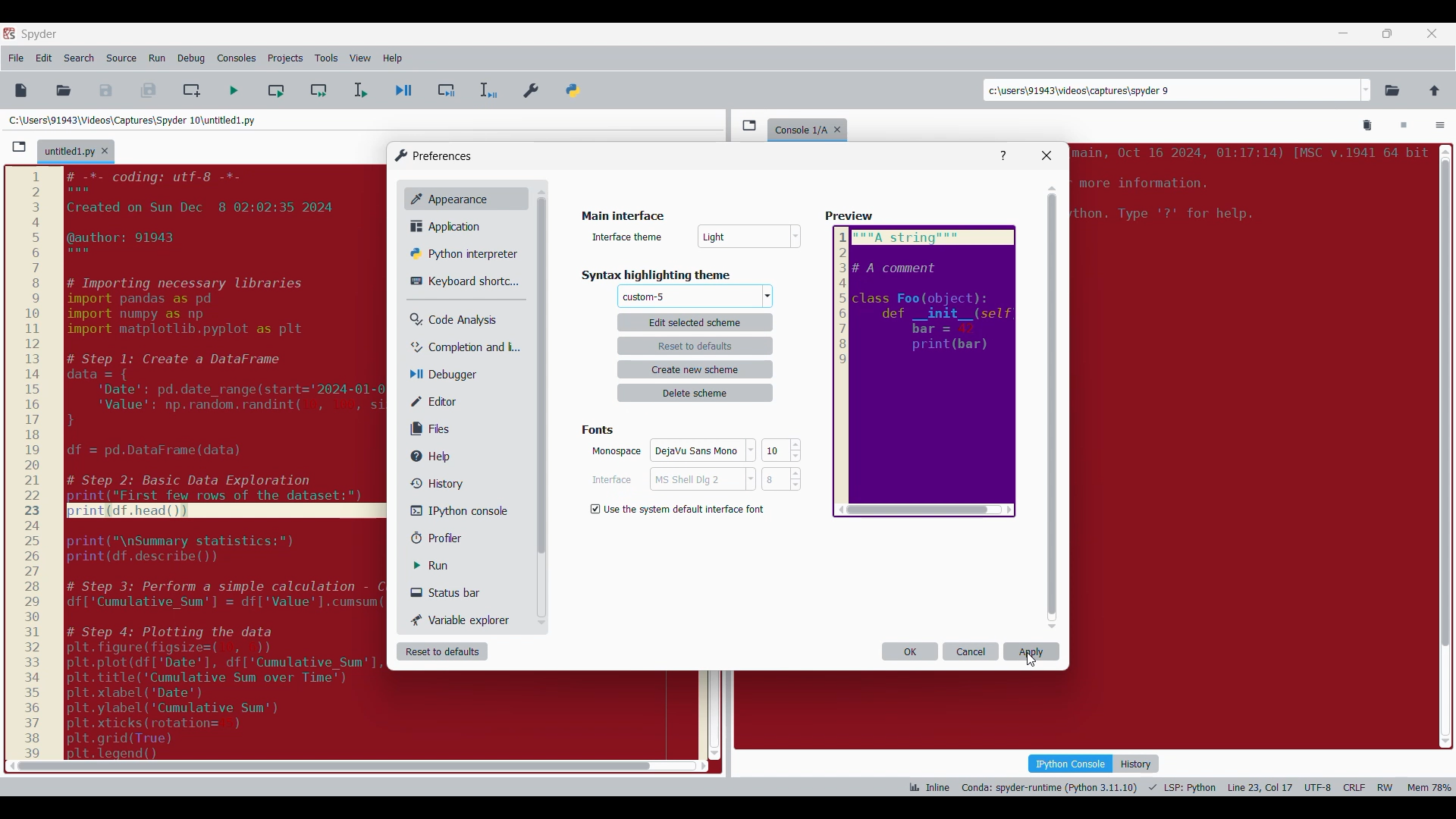 Image resolution: width=1456 pixels, height=819 pixels. I want to click on Edit menu, so click(44, 58).